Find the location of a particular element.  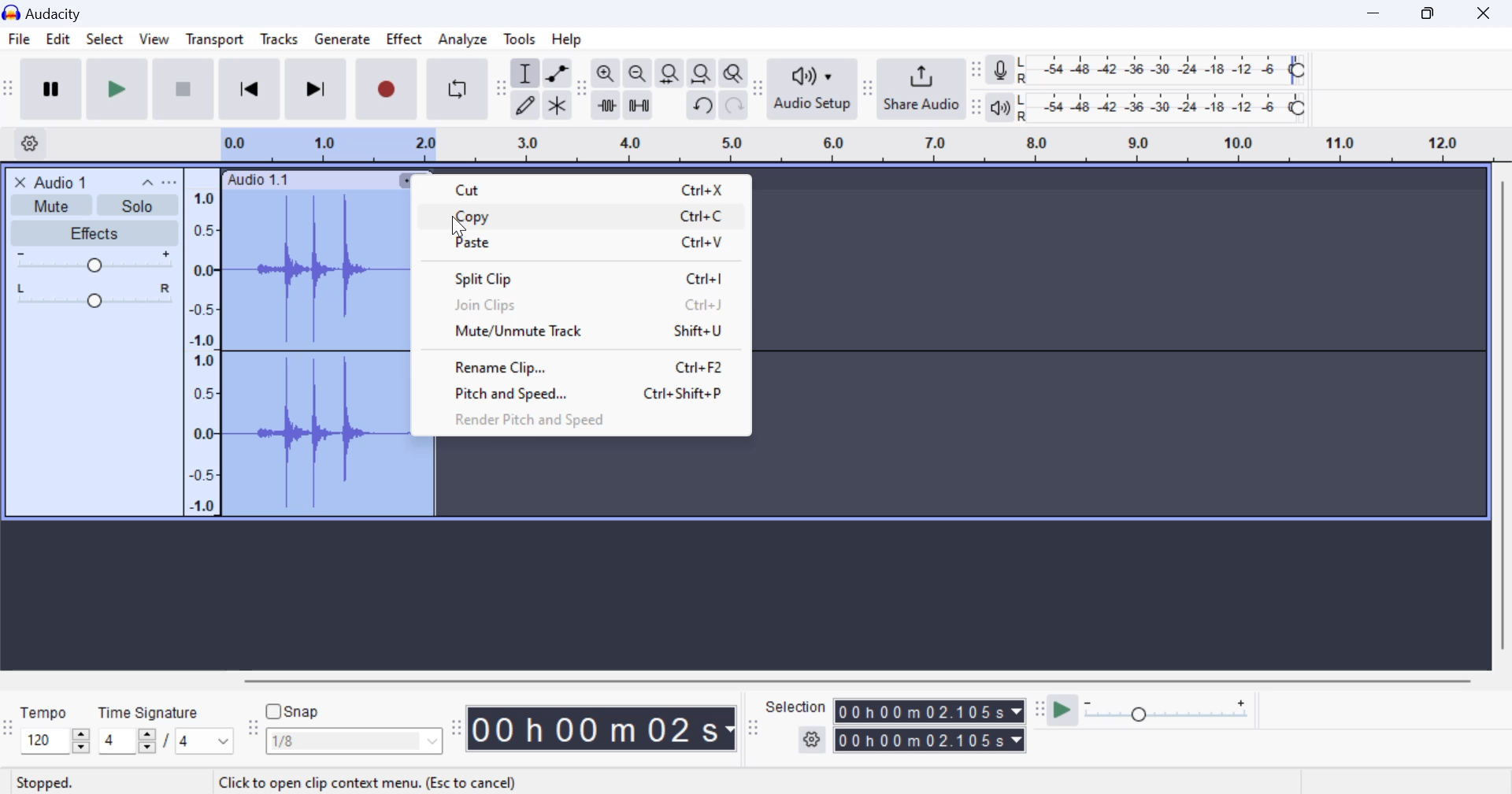

Split Clip is located at coordinates (576, 276).